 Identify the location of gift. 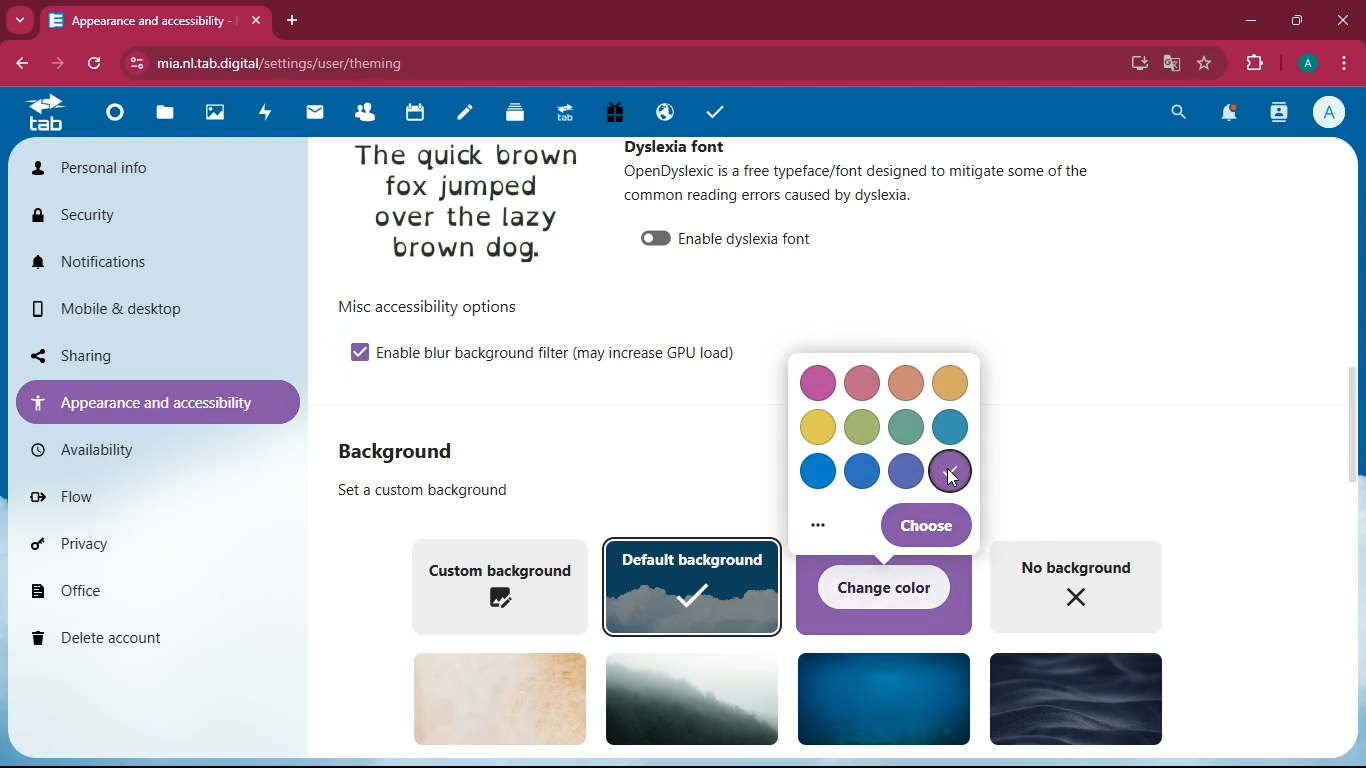
(614, 112).